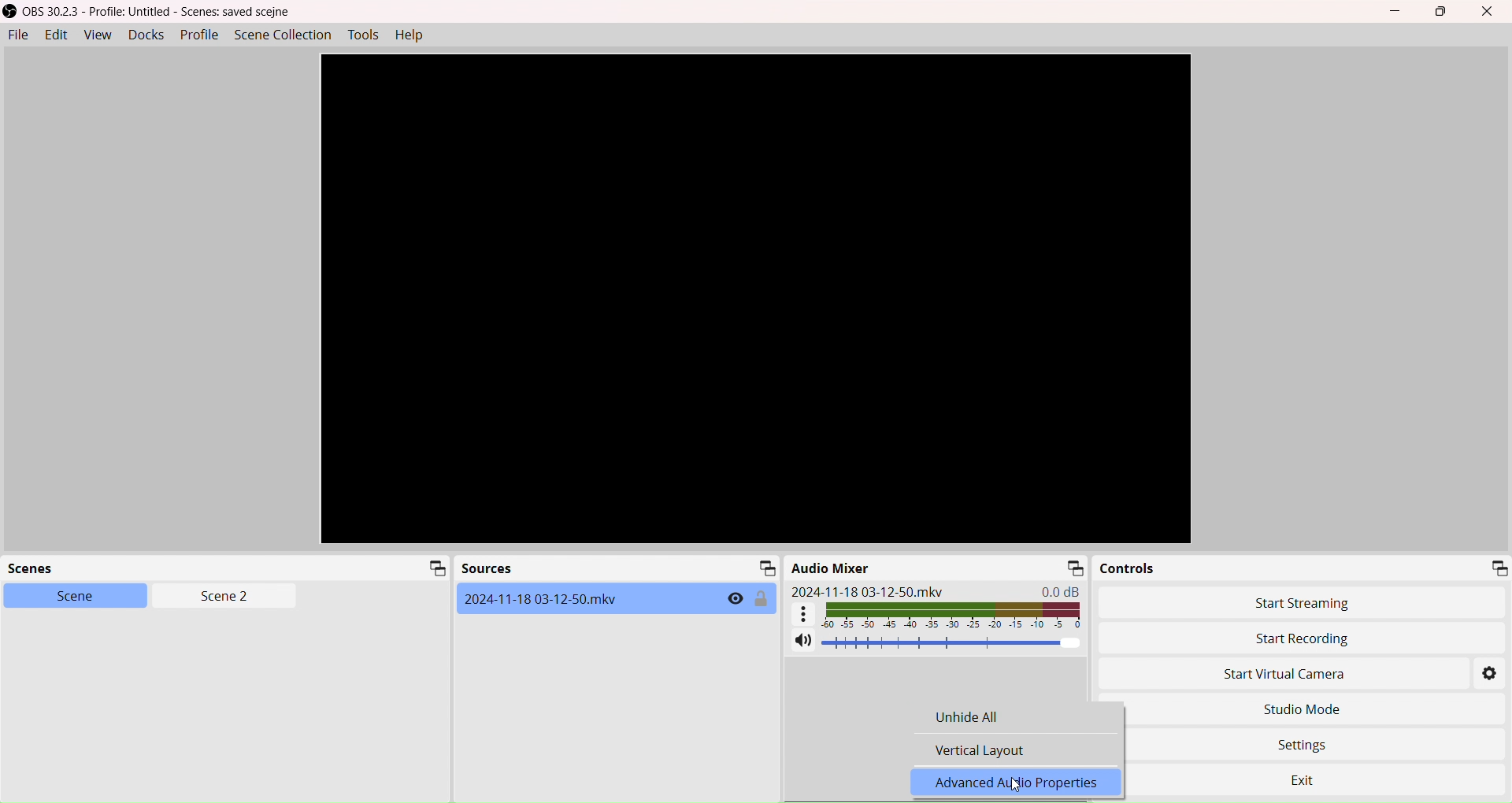  Describe the element at coordinates (1312, 742) in the screenshot. I see `Settings` at that location.